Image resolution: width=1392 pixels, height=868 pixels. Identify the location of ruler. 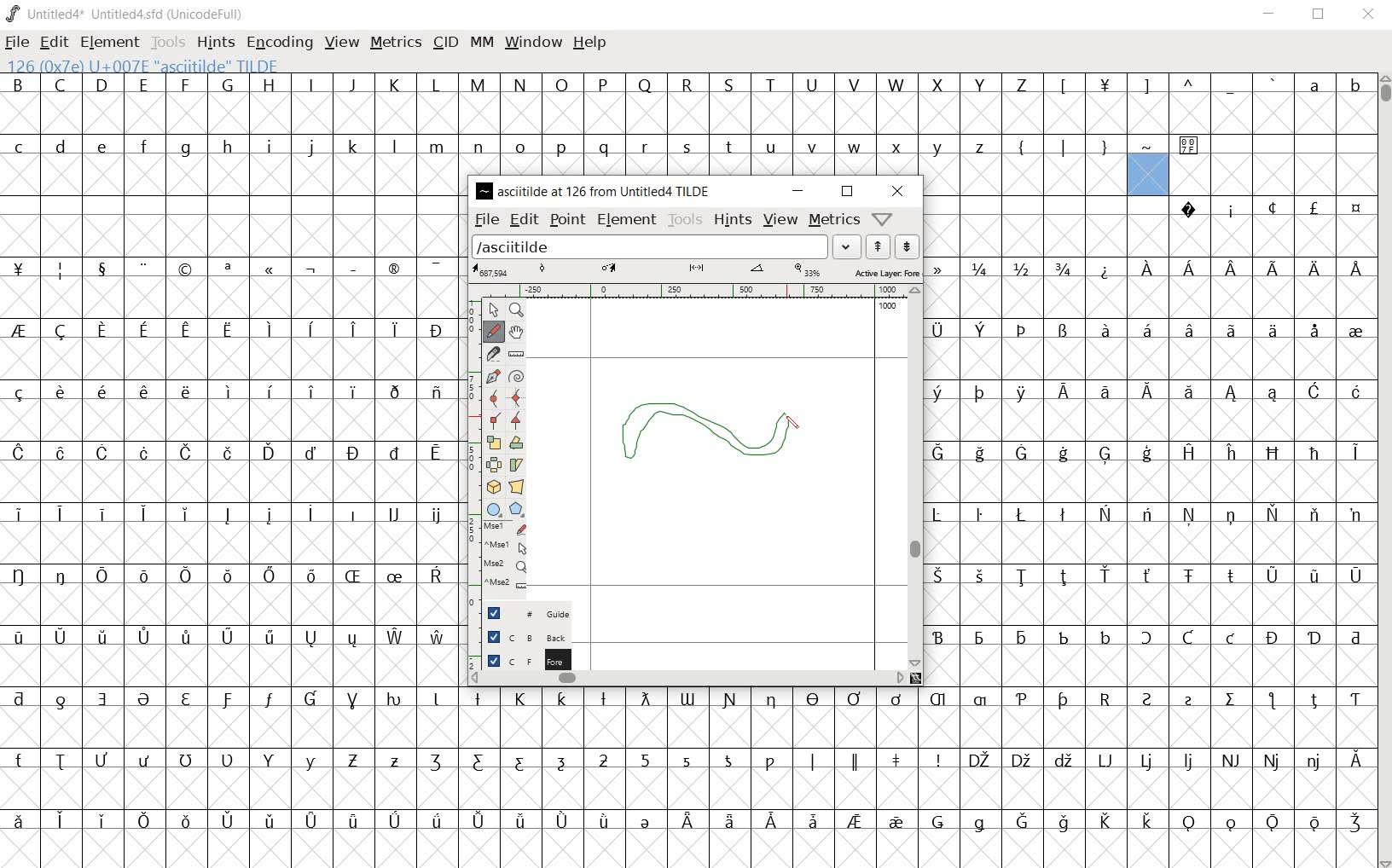
(710, 291).